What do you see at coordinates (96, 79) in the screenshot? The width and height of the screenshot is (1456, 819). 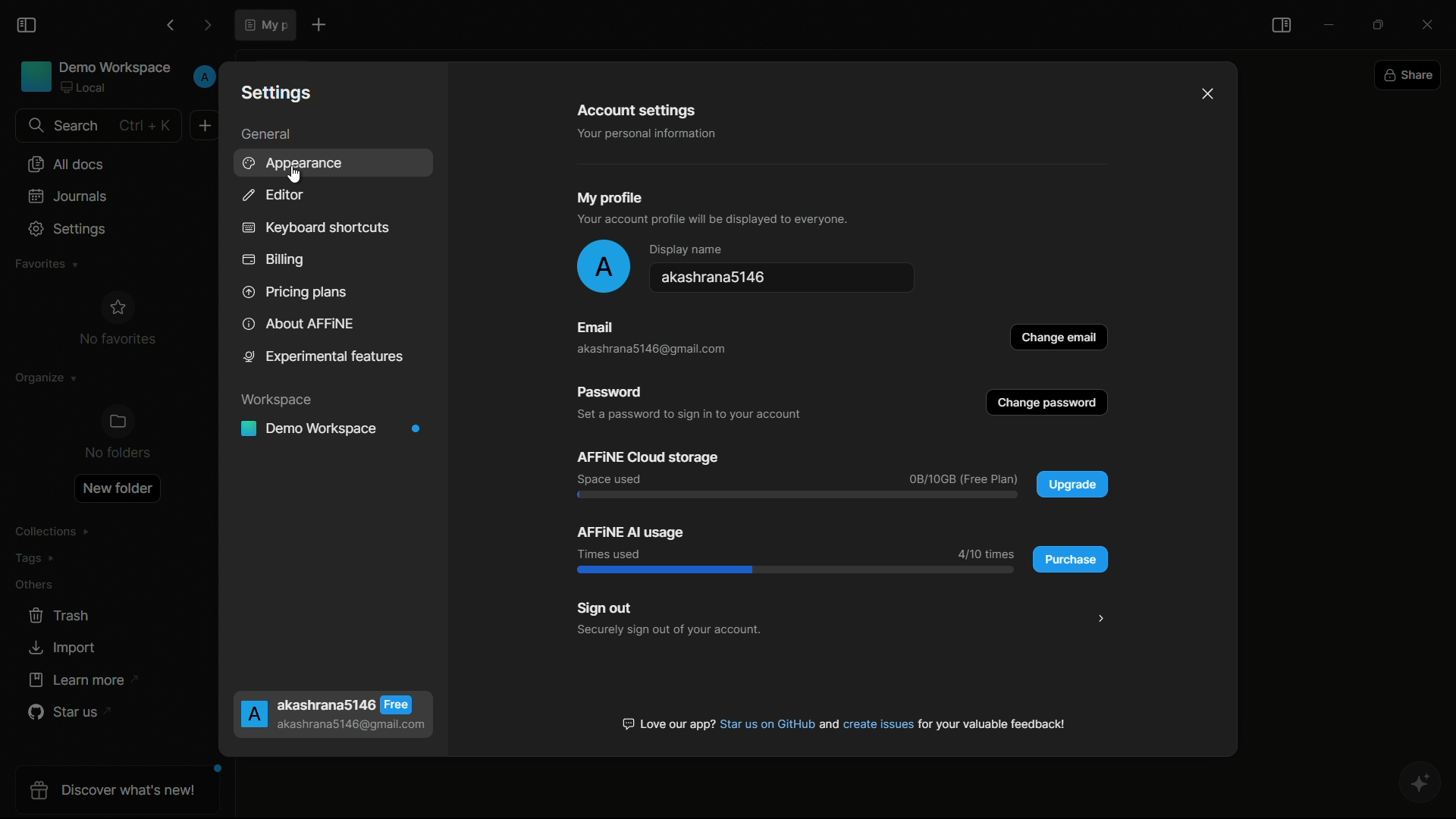 I see `demo workspace` at bounding box center [96, 79].